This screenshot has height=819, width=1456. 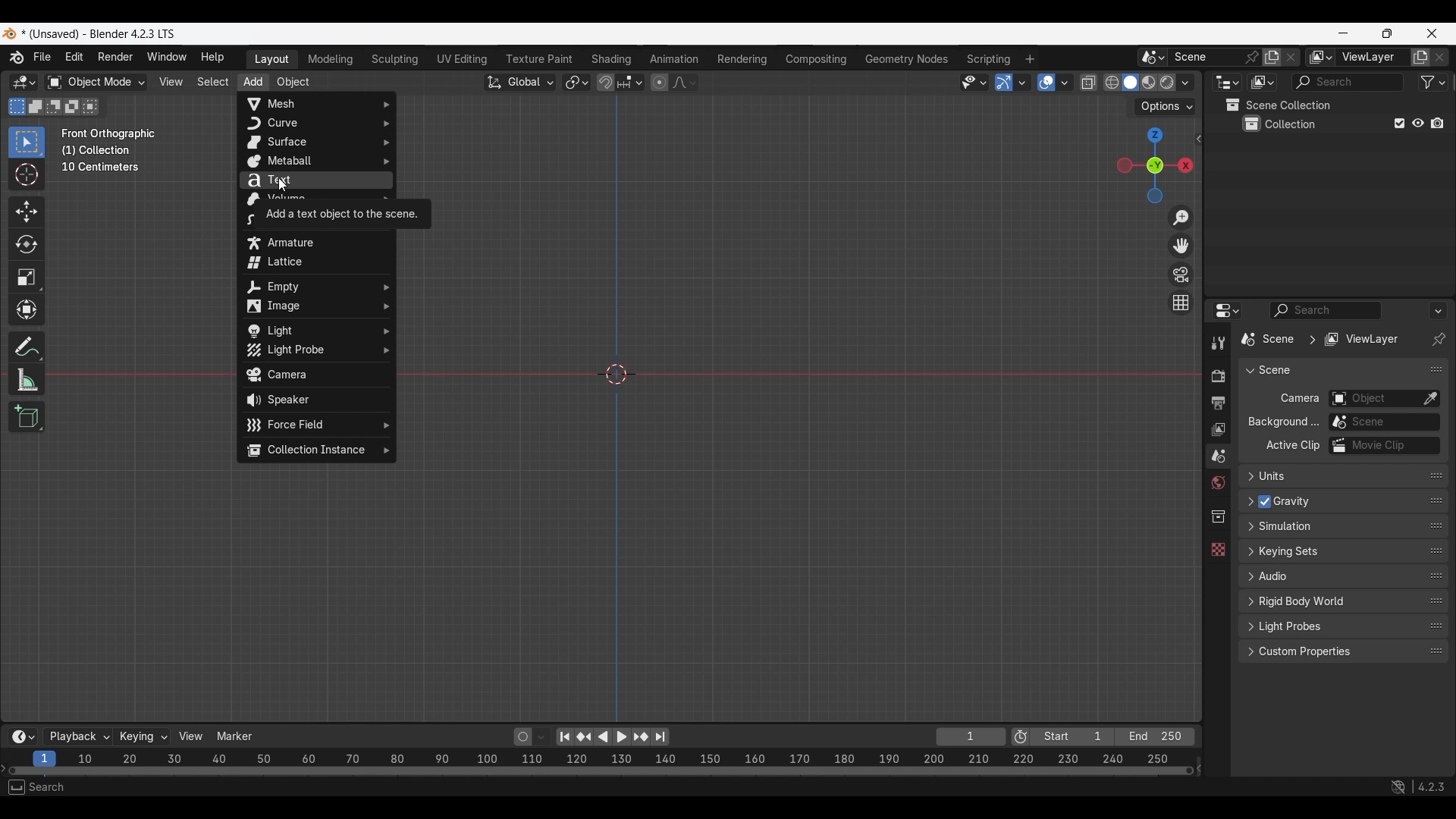 What do you see at coordinates (21, 737) in the screenshot?
I see `More options` at bounding box center [21, 737].